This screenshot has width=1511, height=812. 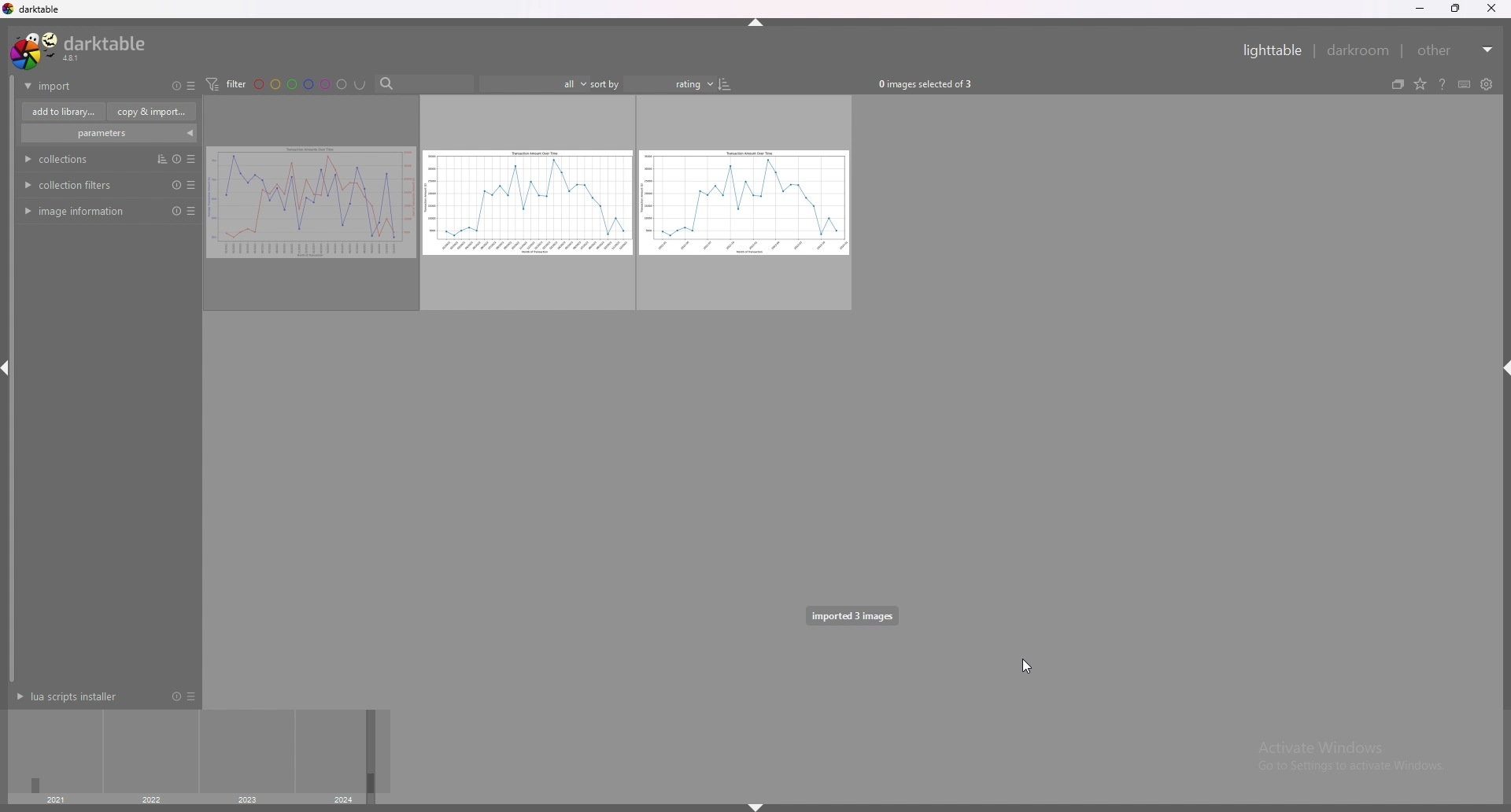 What do you see at coordinates (71, 185) in the screenshot?
I see `collection filters` at bounding box center [71, 185].